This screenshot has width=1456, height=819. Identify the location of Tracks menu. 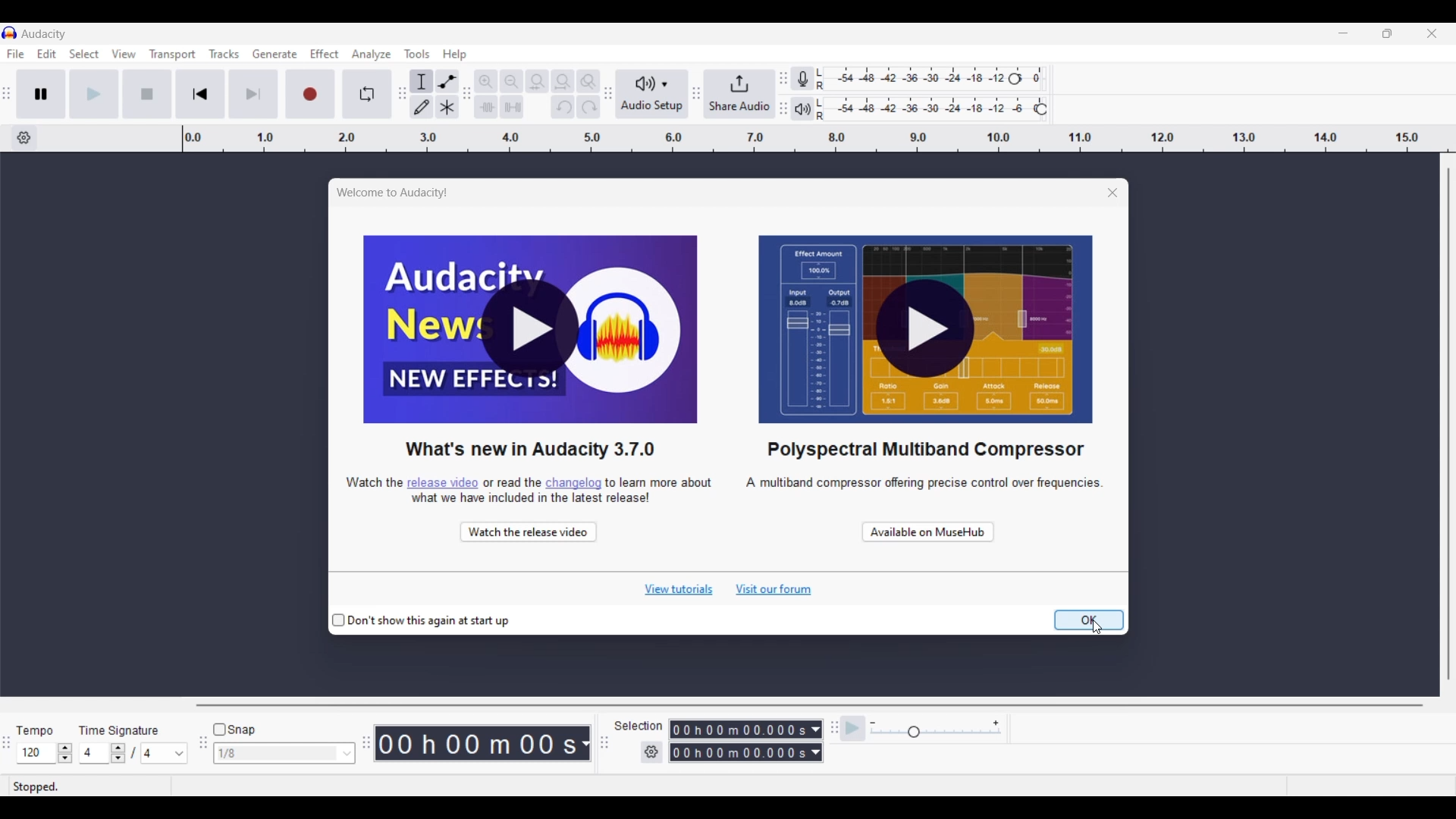
(224, 54).